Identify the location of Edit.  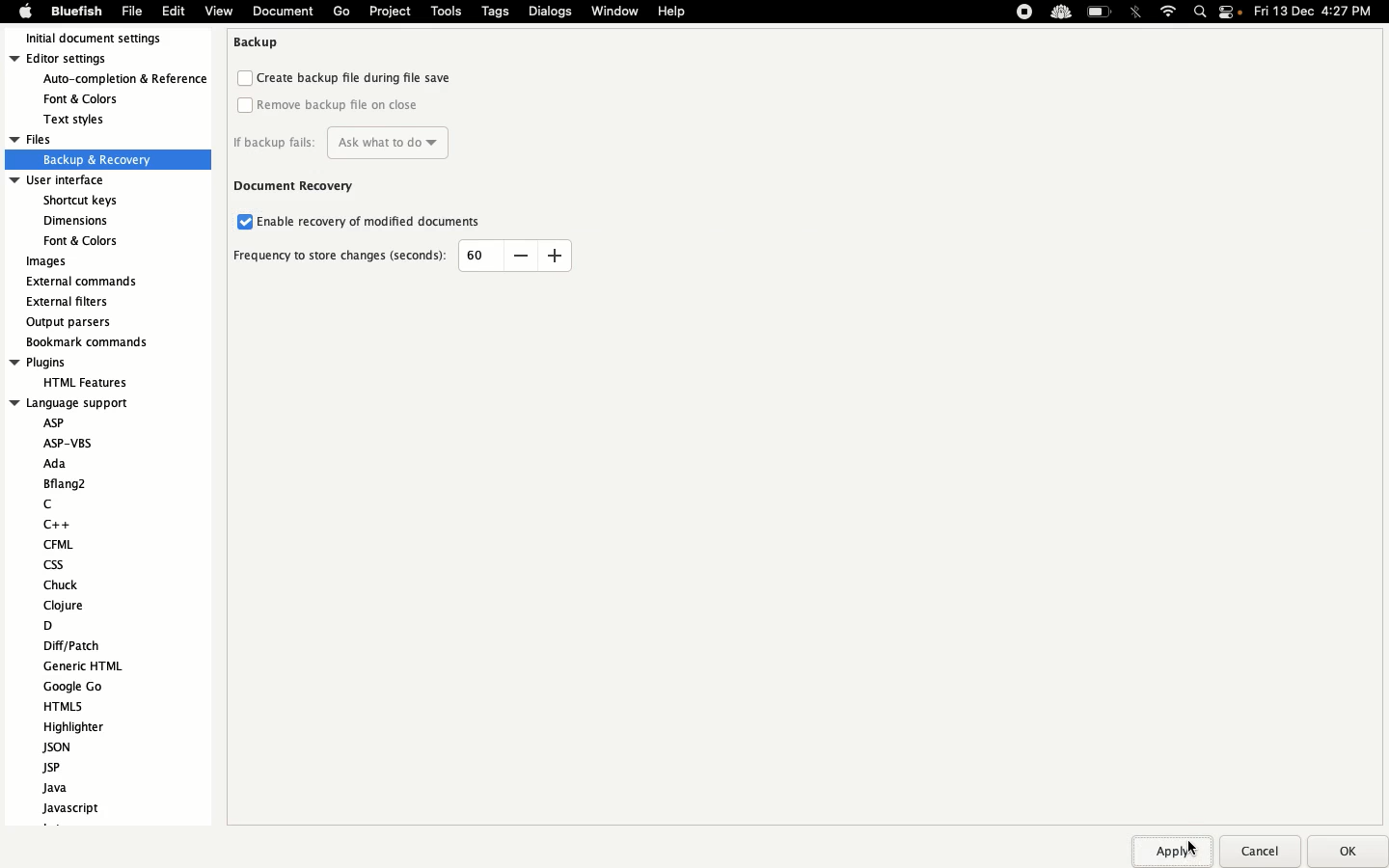
(172, 14).